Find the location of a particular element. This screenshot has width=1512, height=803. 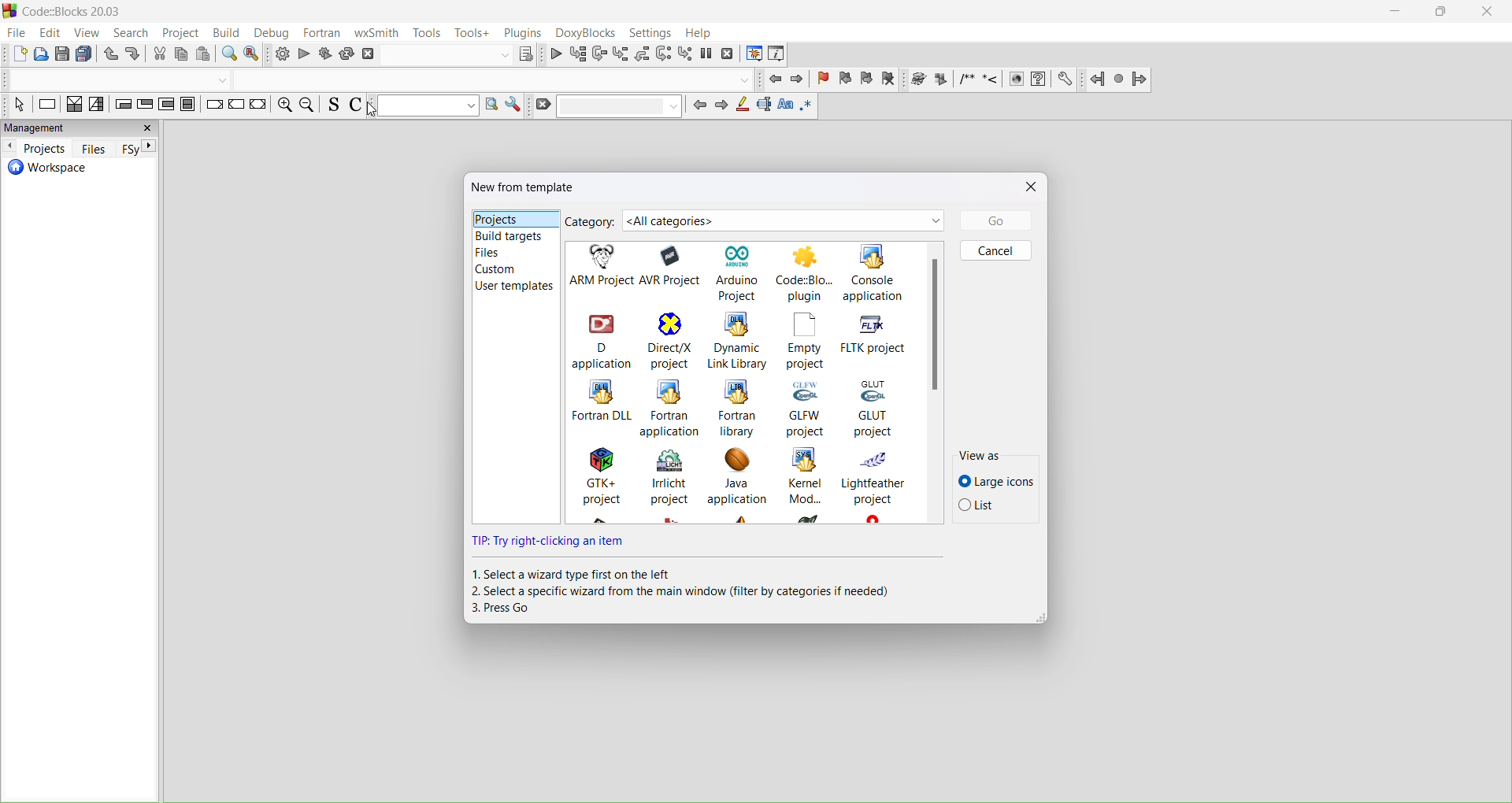

build targets is located at coordinates (514, 236).